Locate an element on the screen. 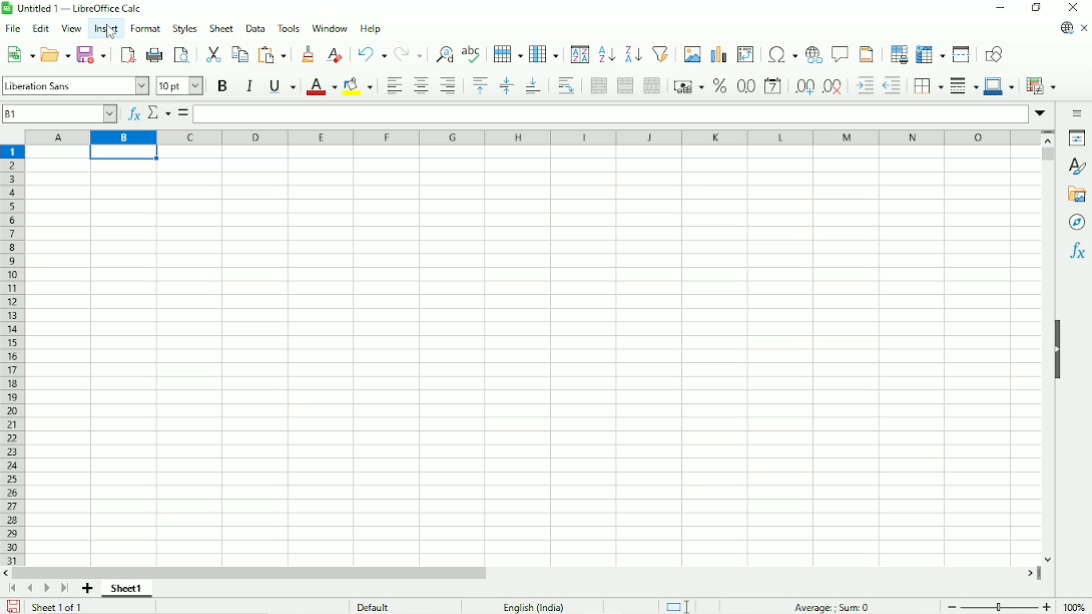  Scroll to first sheet is located at coordinates (13, 588).